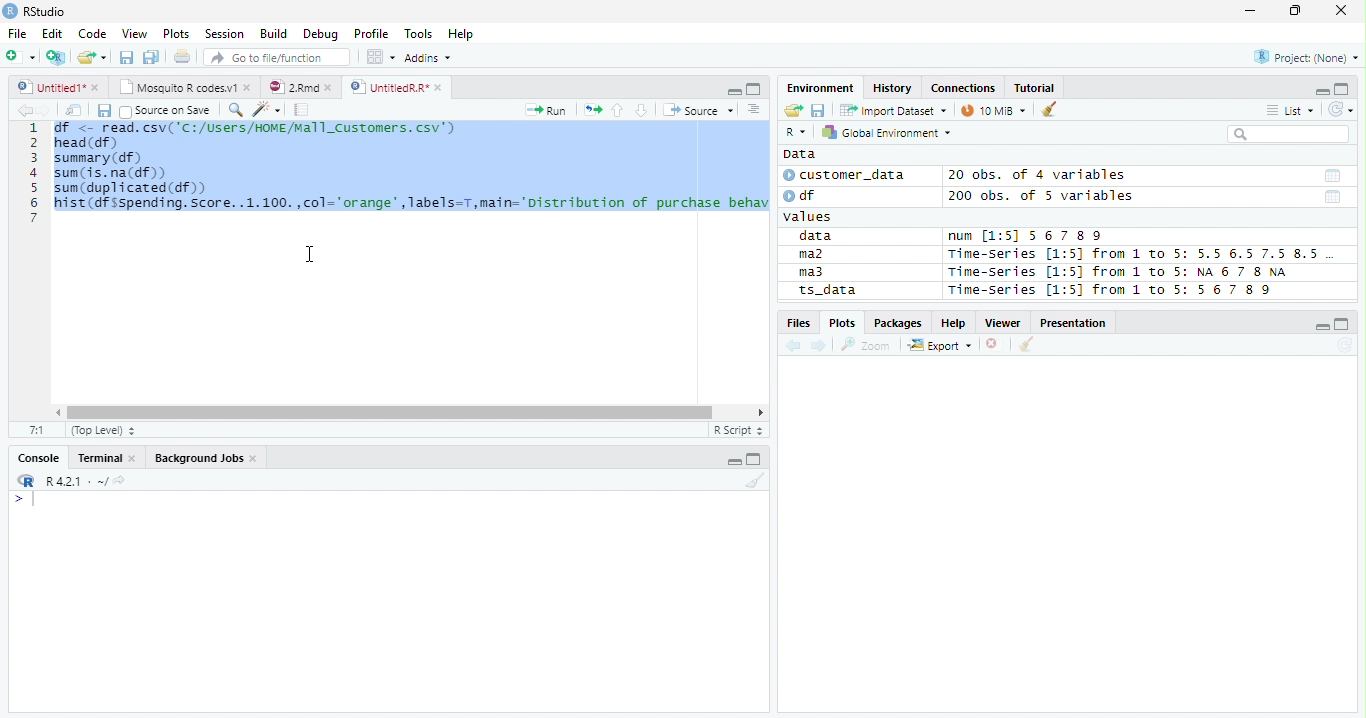  What do you see at coordinates (407, 414) in the screenshot?
I see `Scroll` at bounding box center [407, 414].